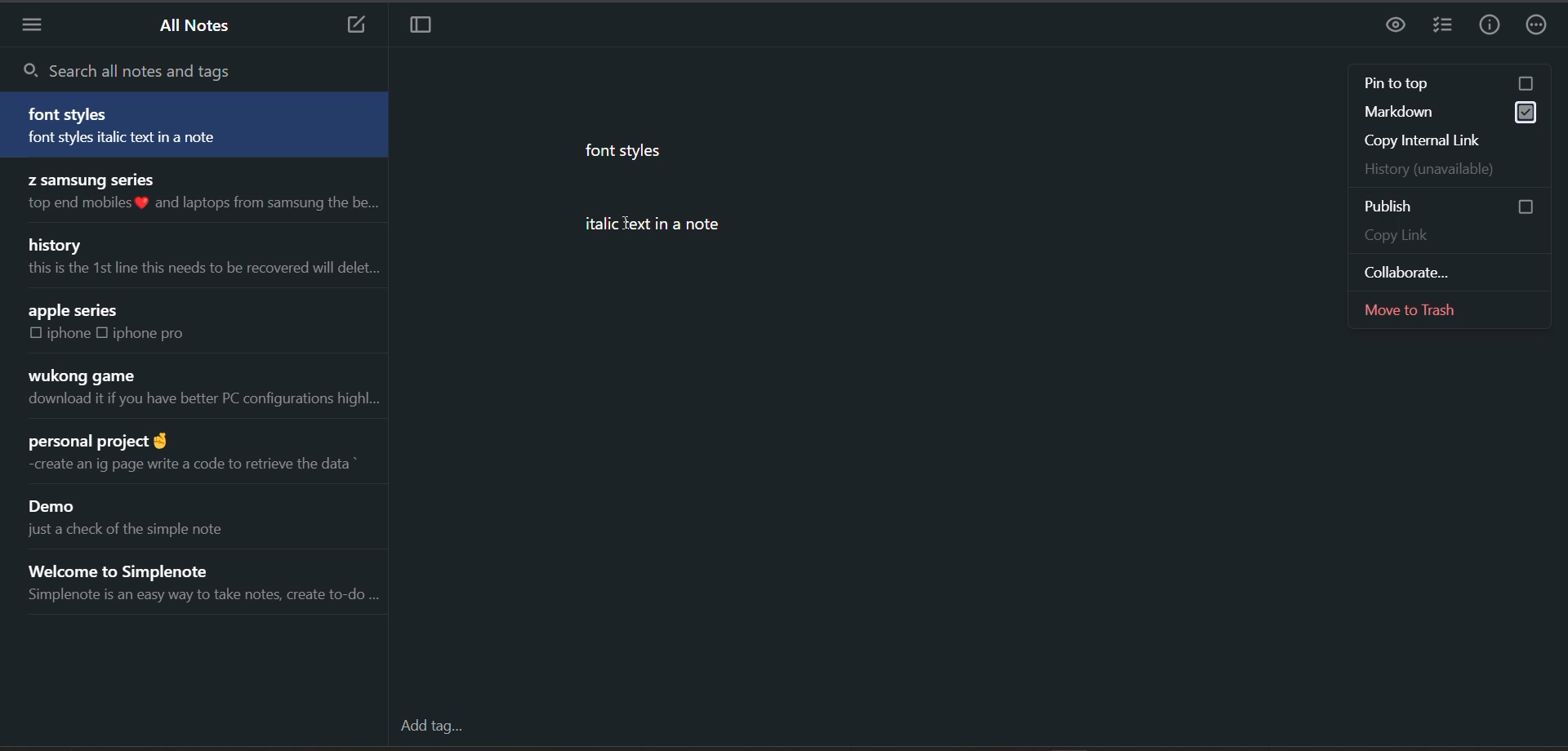  Describe the element at coordinates (1453, 270) in the screenshot. I see `collaborate` at that location.